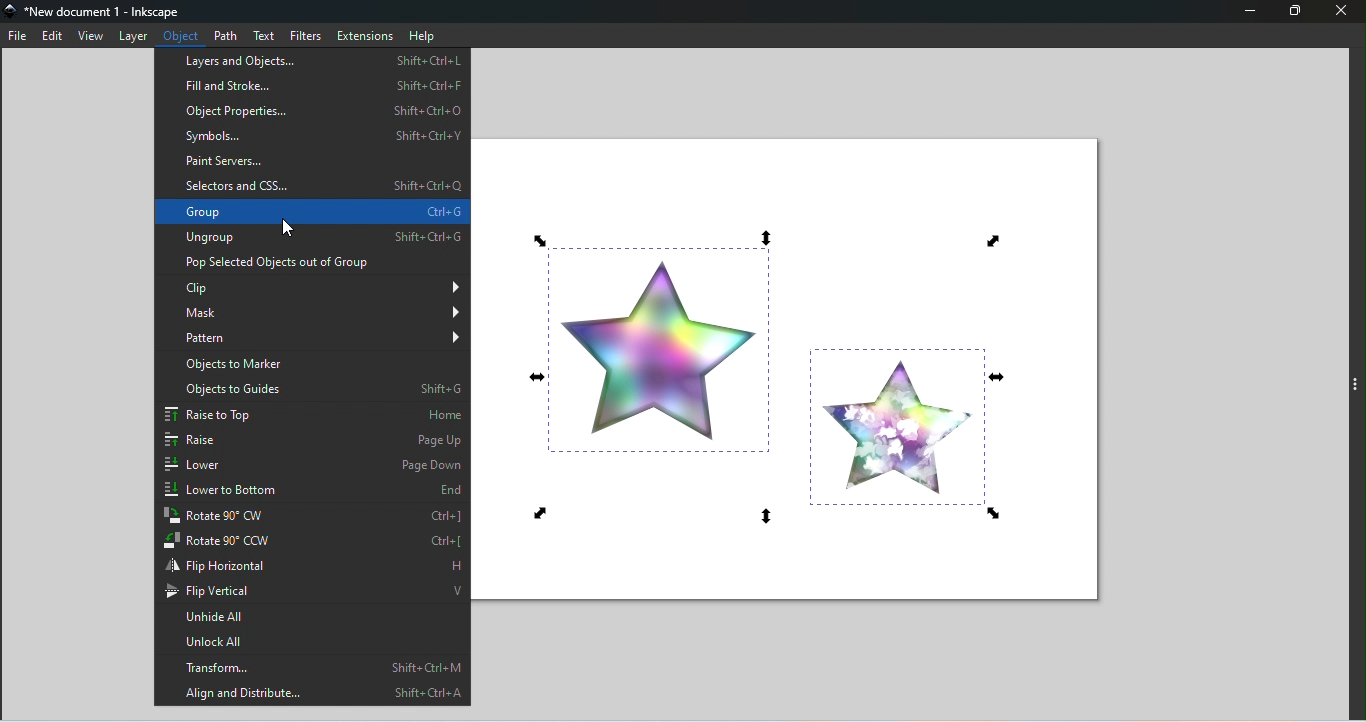  What do you see at coordinates (311, 212) in the screenshot?
I see `Group` at bounding box center [311, 212].